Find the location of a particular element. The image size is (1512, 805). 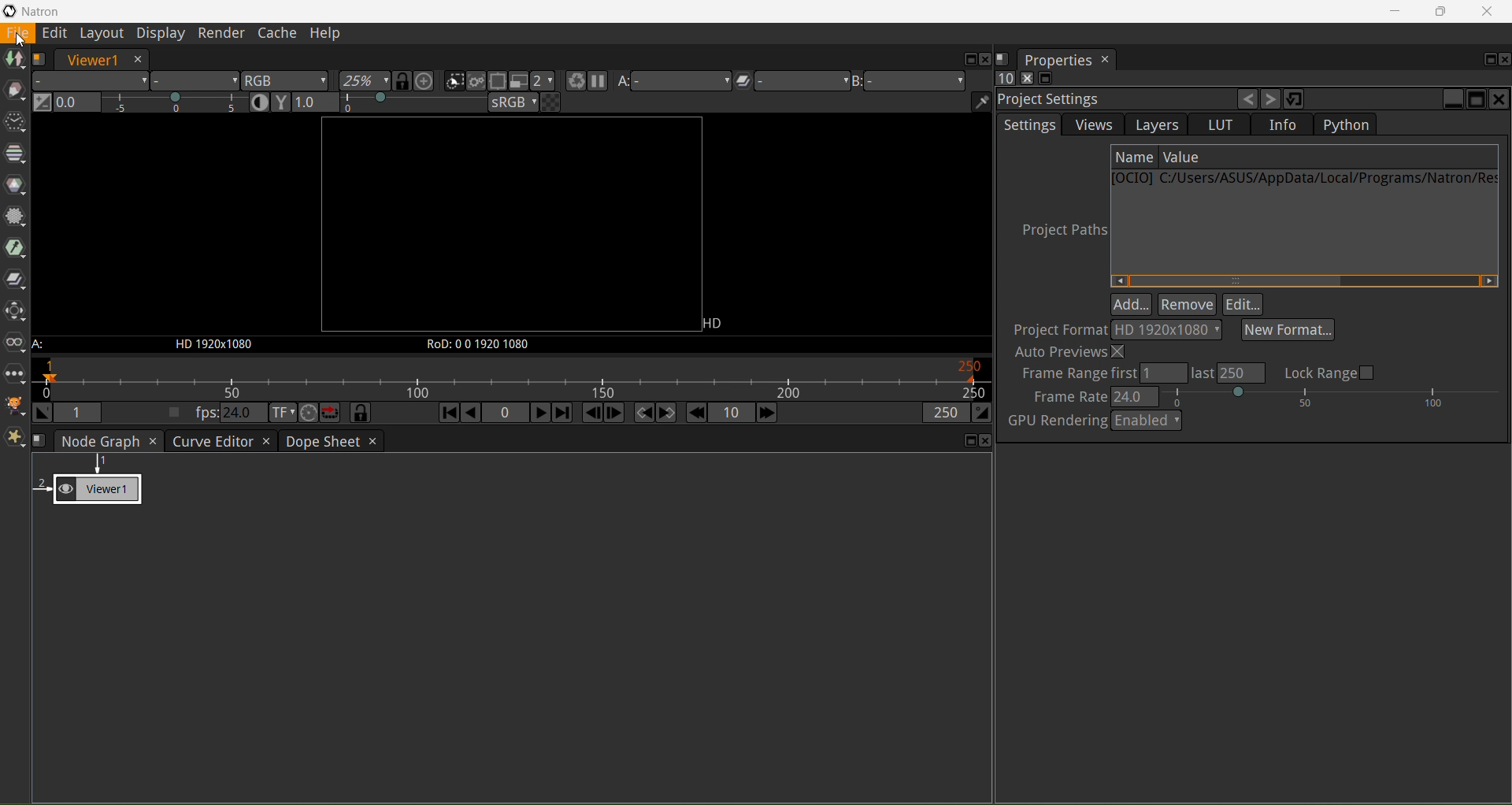

Set the playback out point at the current point  is located at coordinates (982, 414).